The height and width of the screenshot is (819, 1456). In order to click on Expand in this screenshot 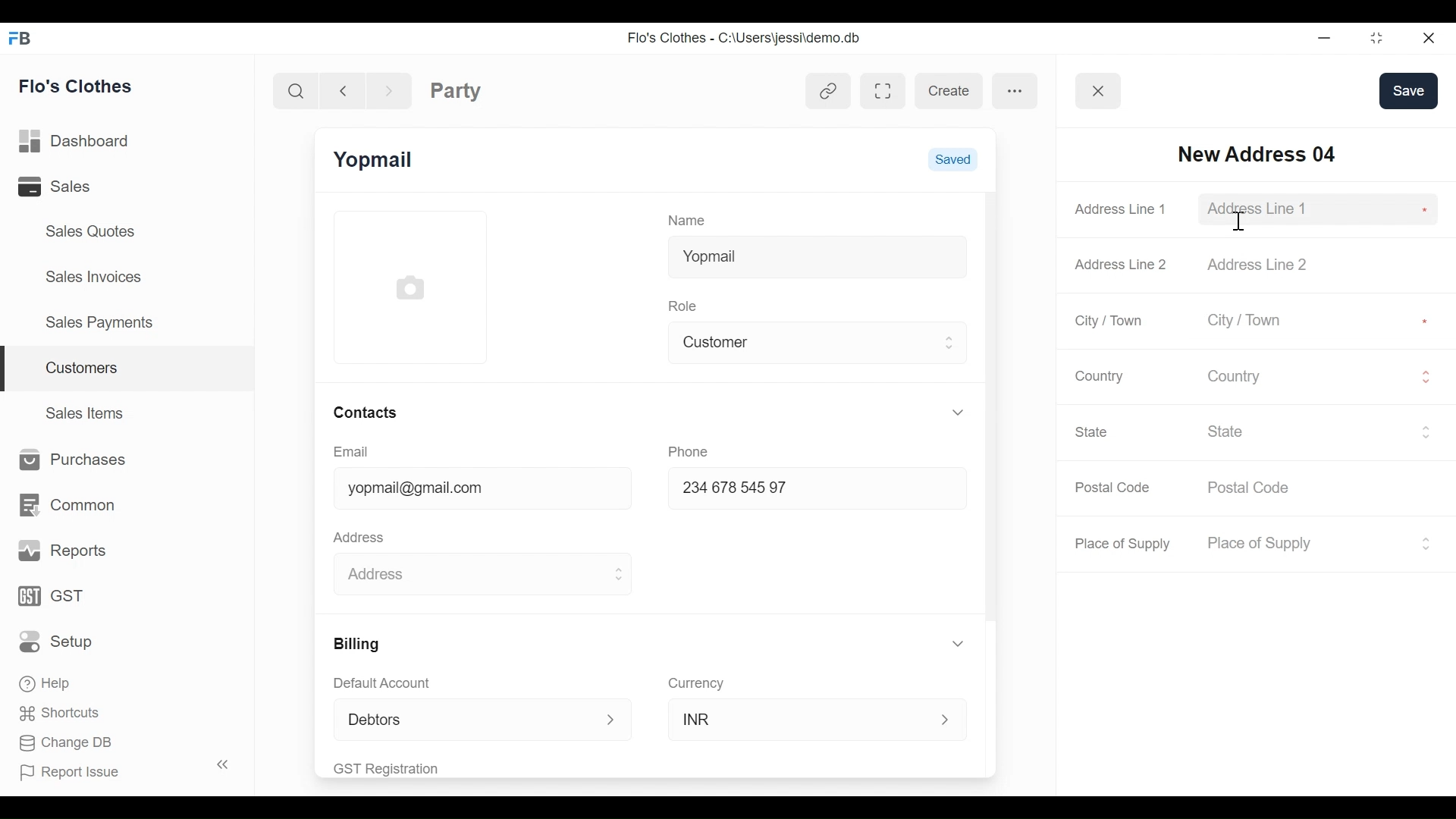, I will do `click(1425, 543)`.